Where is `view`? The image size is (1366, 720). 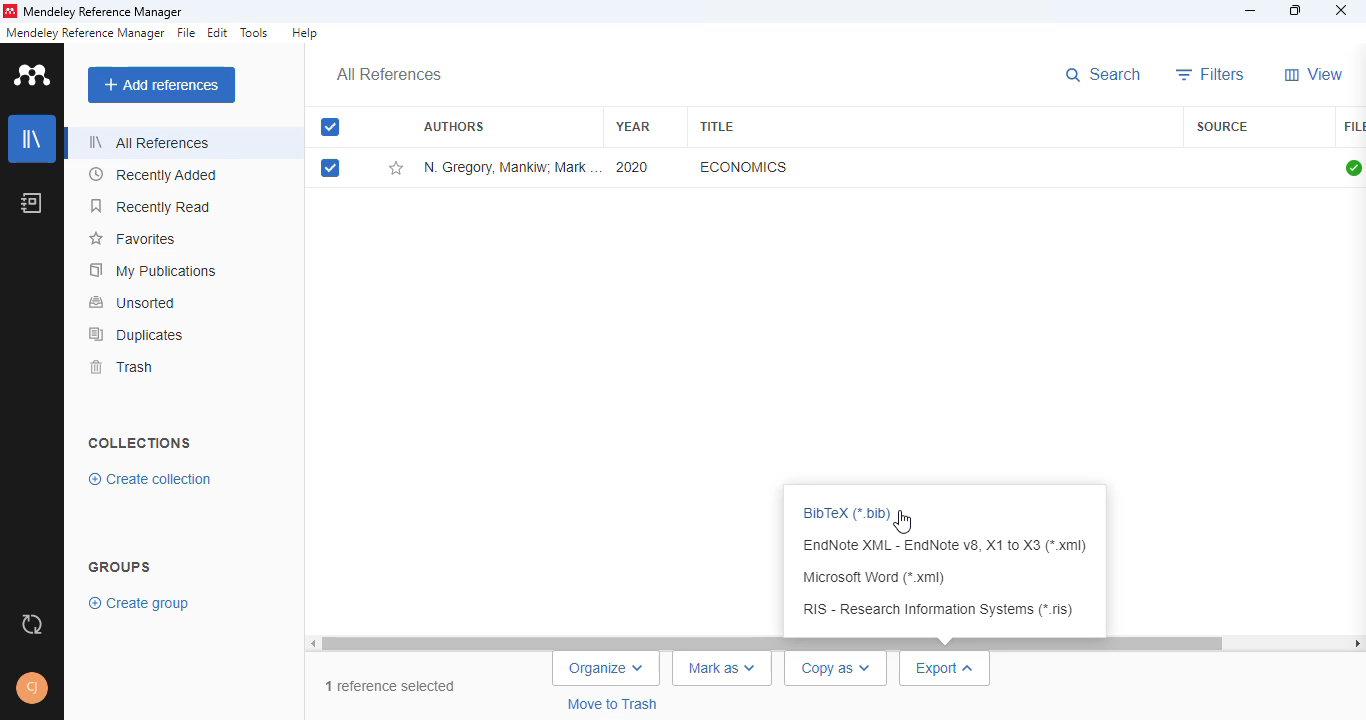 view is located at coordinates (1314, 74).